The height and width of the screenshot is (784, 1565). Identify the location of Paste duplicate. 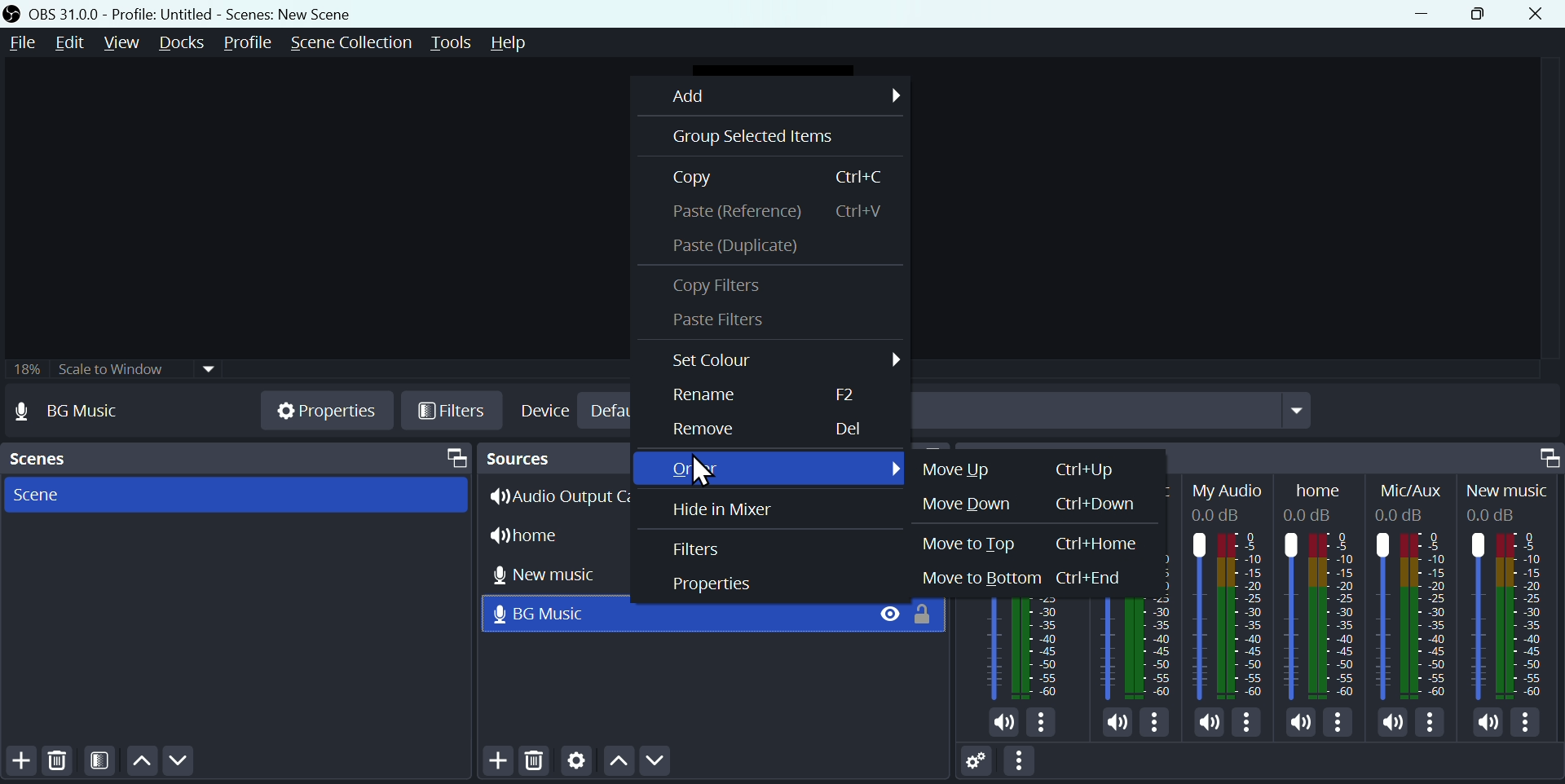
(756, 245).